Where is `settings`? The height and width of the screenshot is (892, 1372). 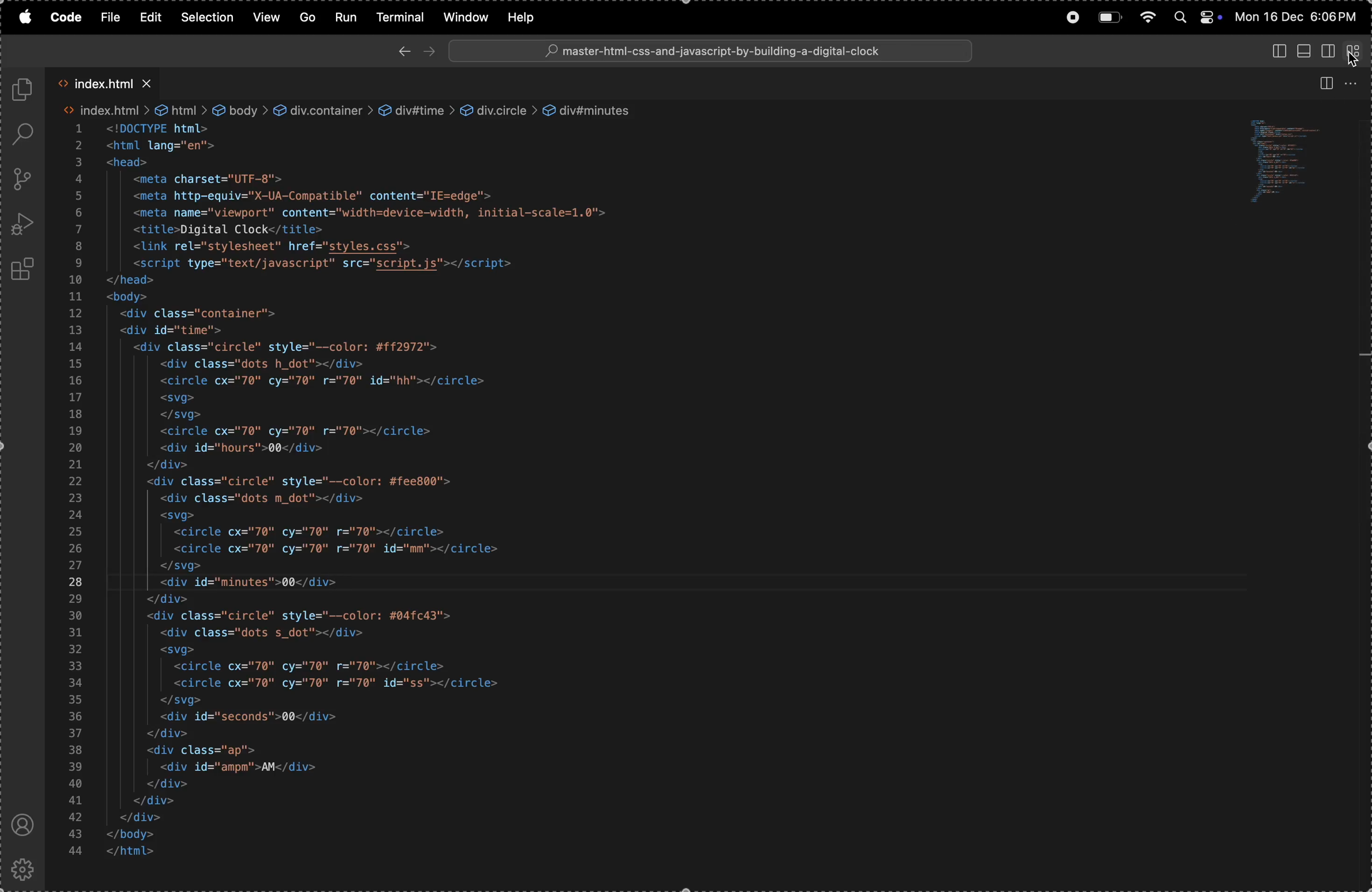
settings is located at coordinates (26, 867).